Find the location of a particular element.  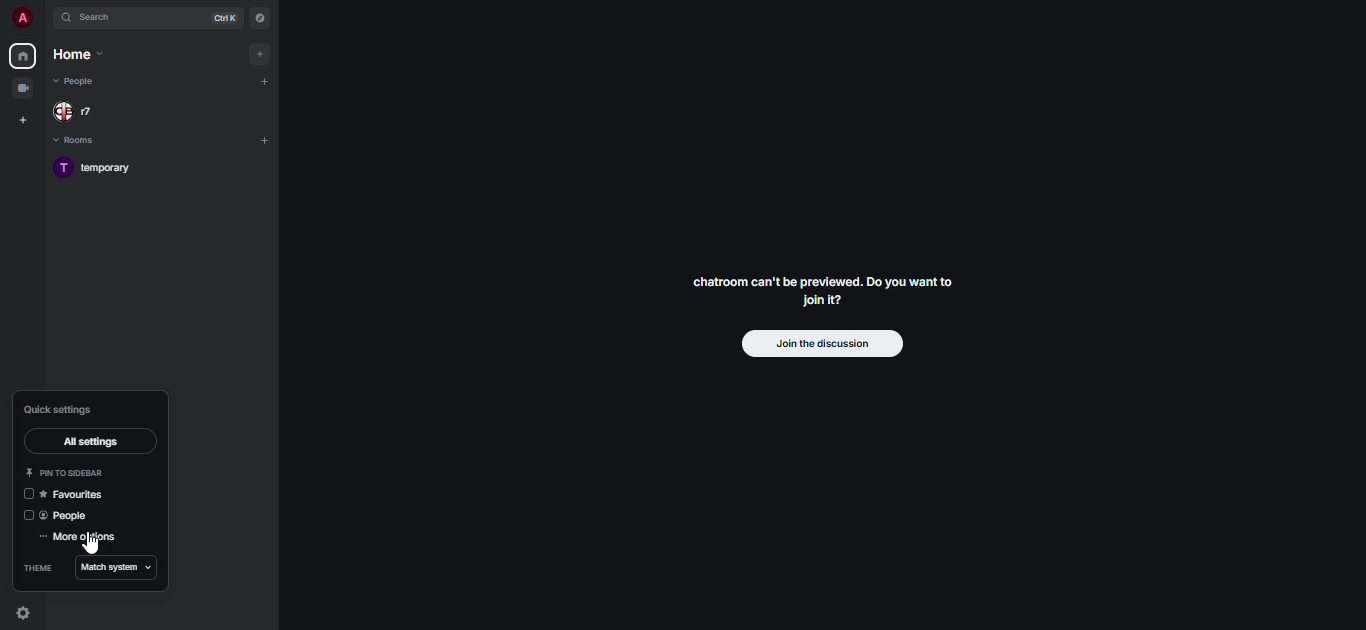

ctrl K is located at coordinates (223, 18).